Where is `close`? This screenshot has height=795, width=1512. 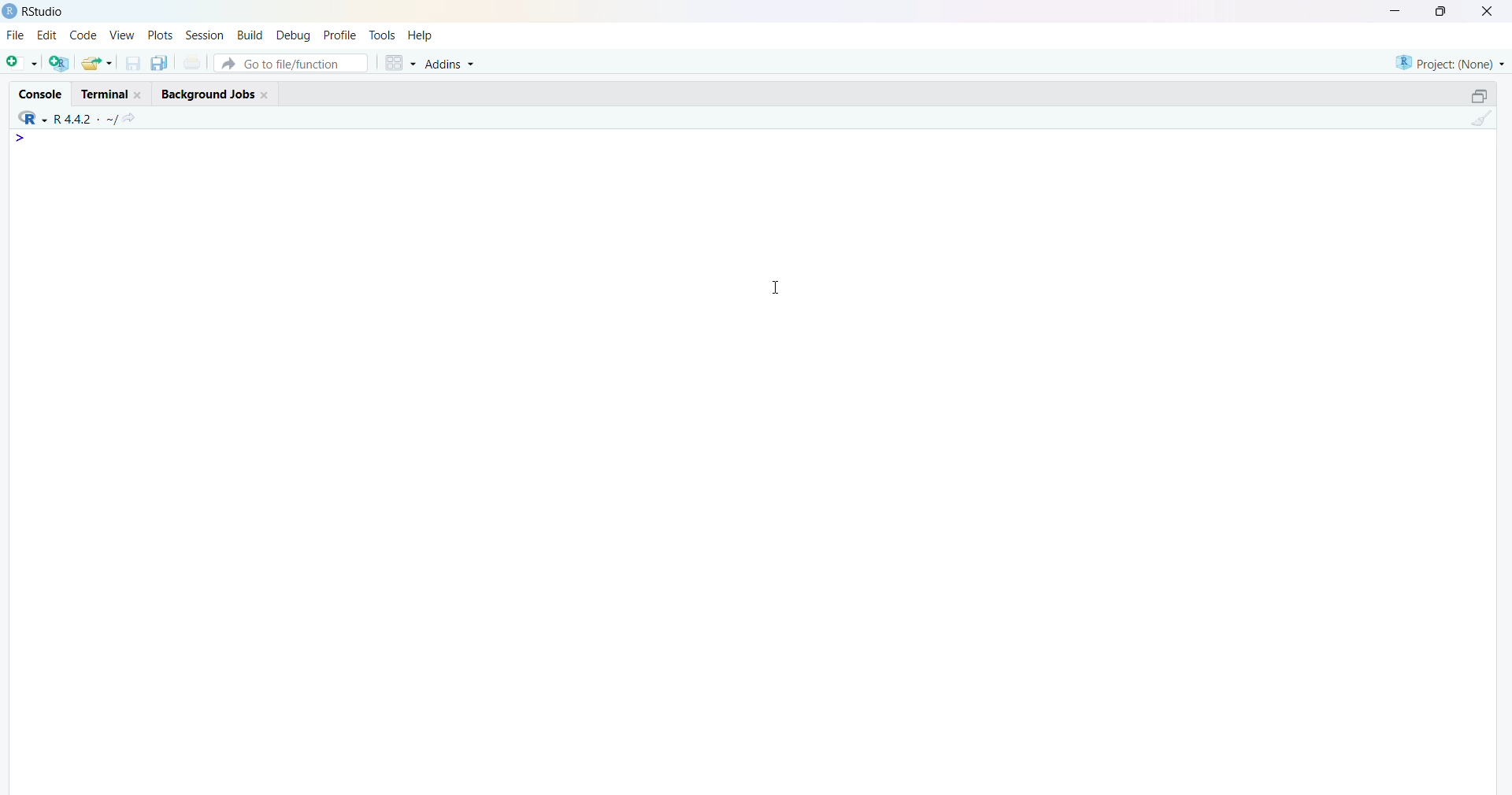
close is located at coordinates (140, 95).